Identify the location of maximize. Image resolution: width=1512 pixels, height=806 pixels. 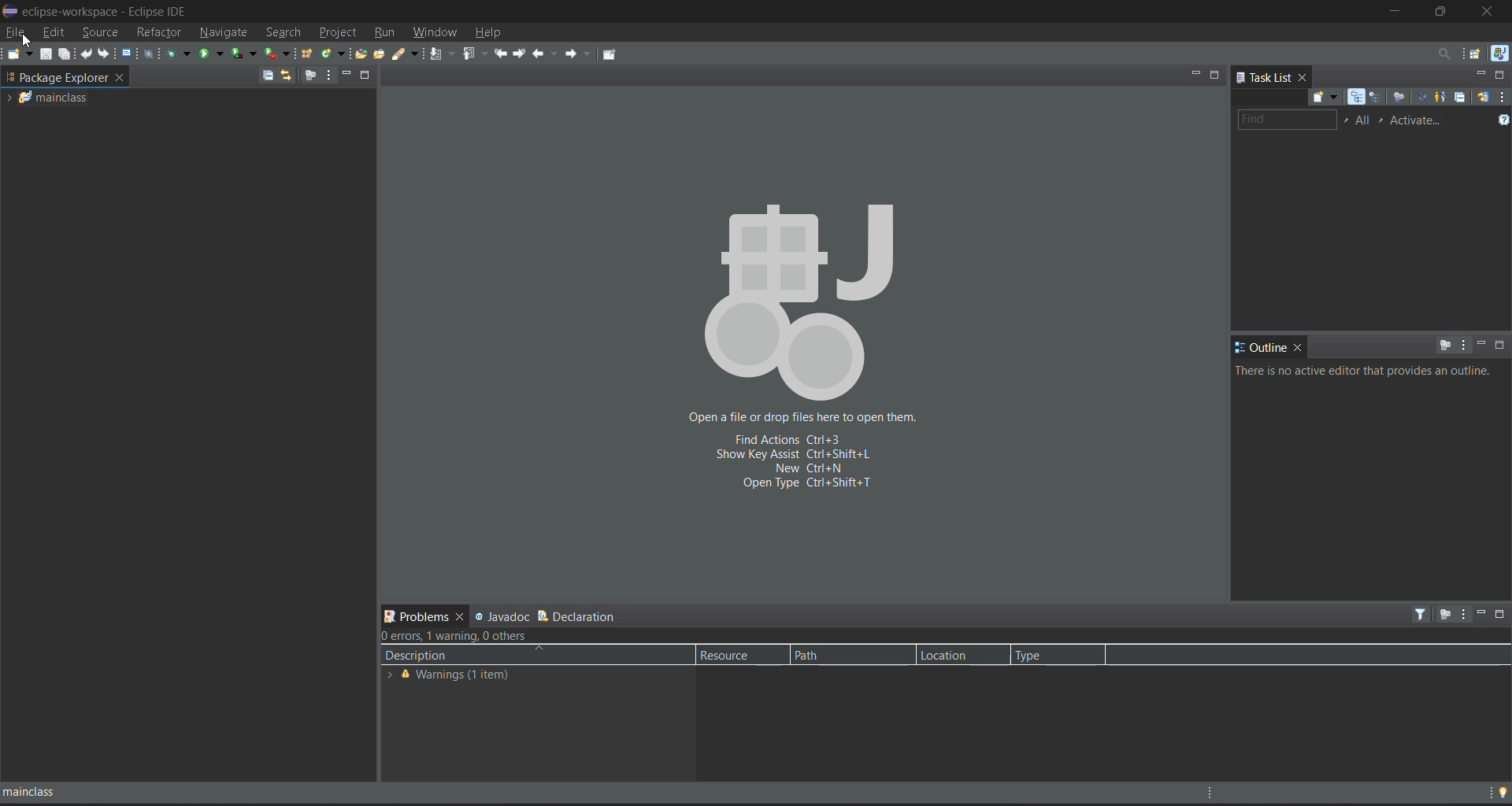
(366, 76).